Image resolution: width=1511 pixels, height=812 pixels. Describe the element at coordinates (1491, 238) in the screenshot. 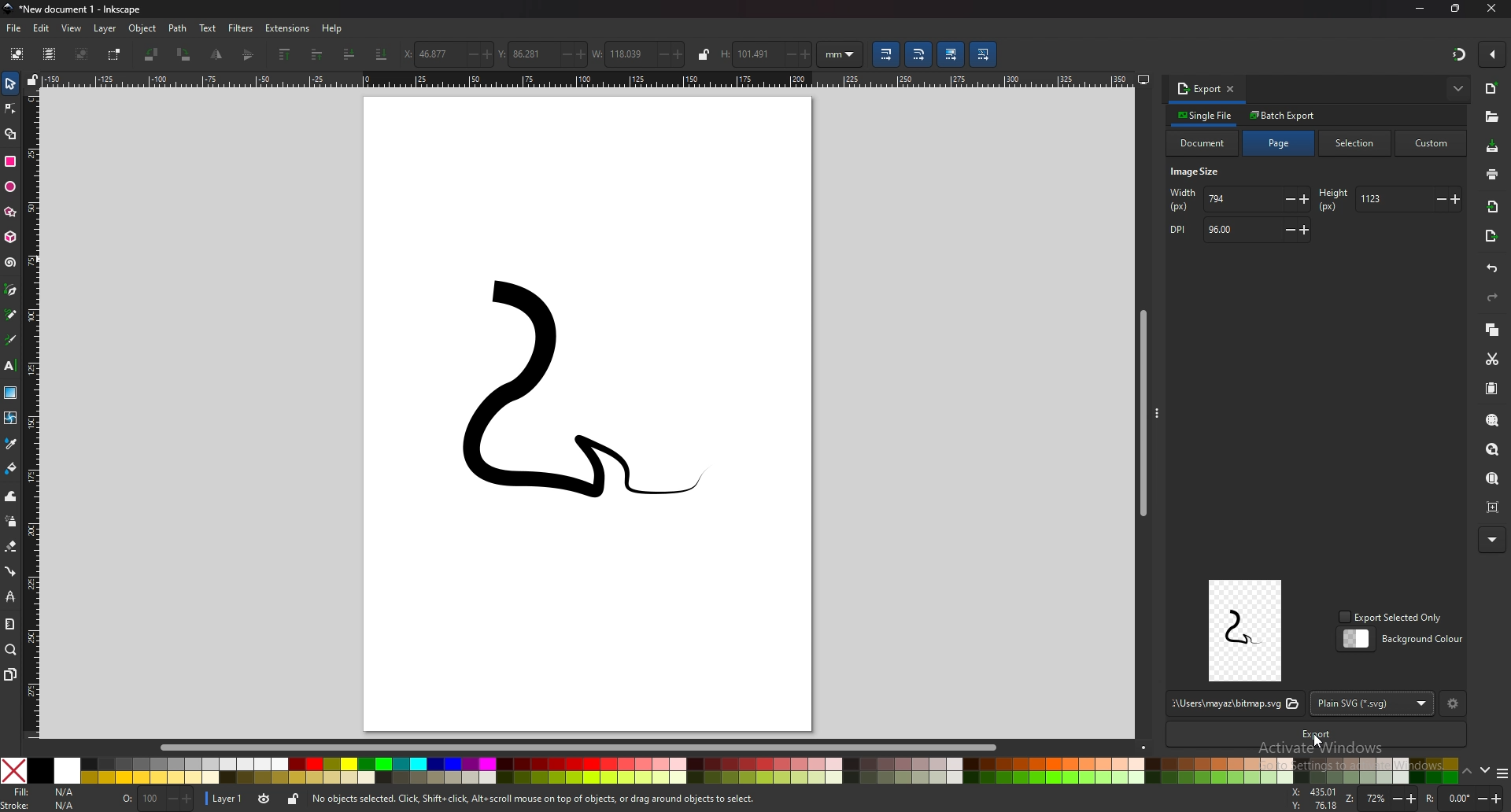

I see `export` at that location.